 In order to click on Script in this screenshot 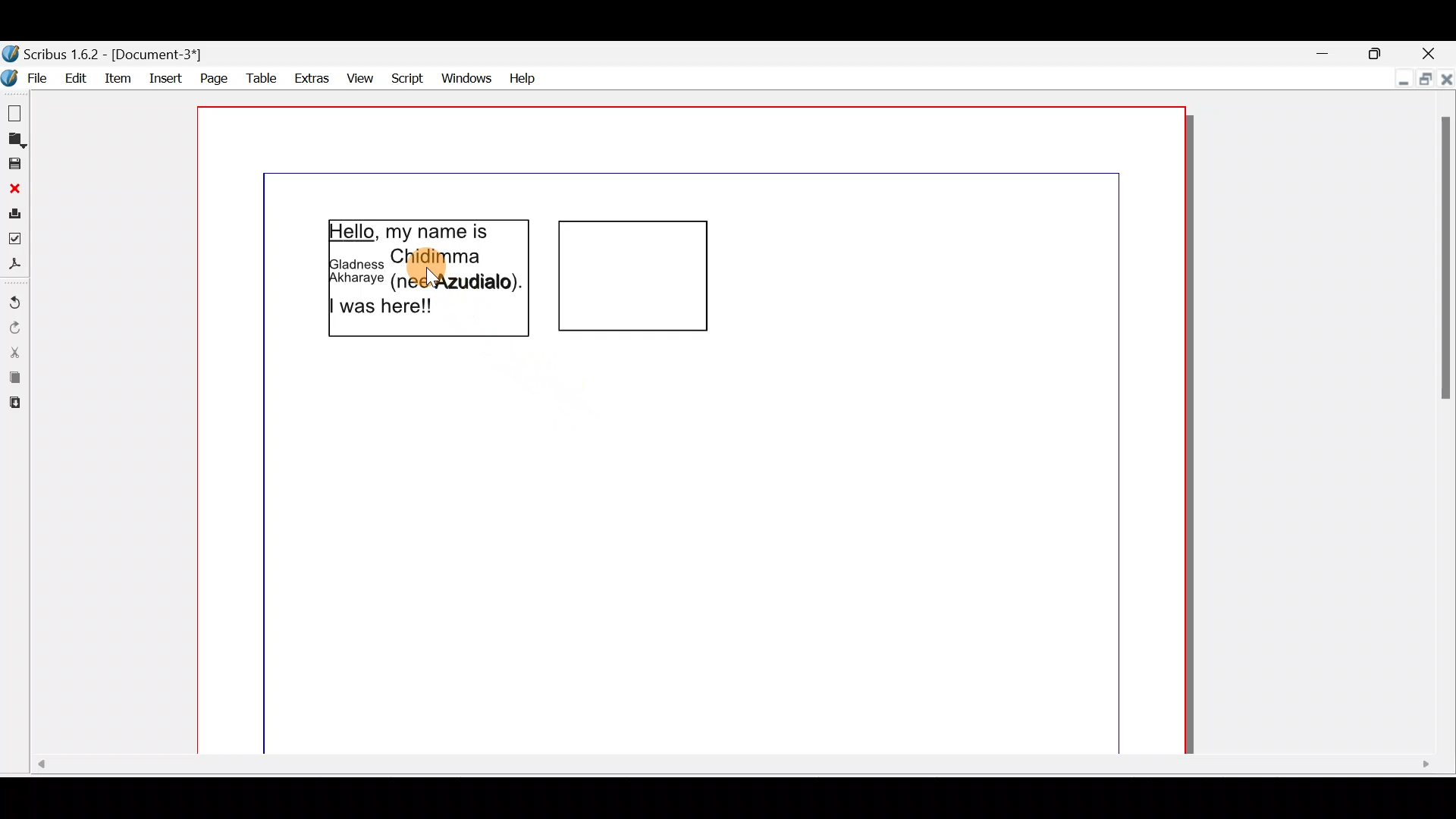, I will do `click(408, 76)`.